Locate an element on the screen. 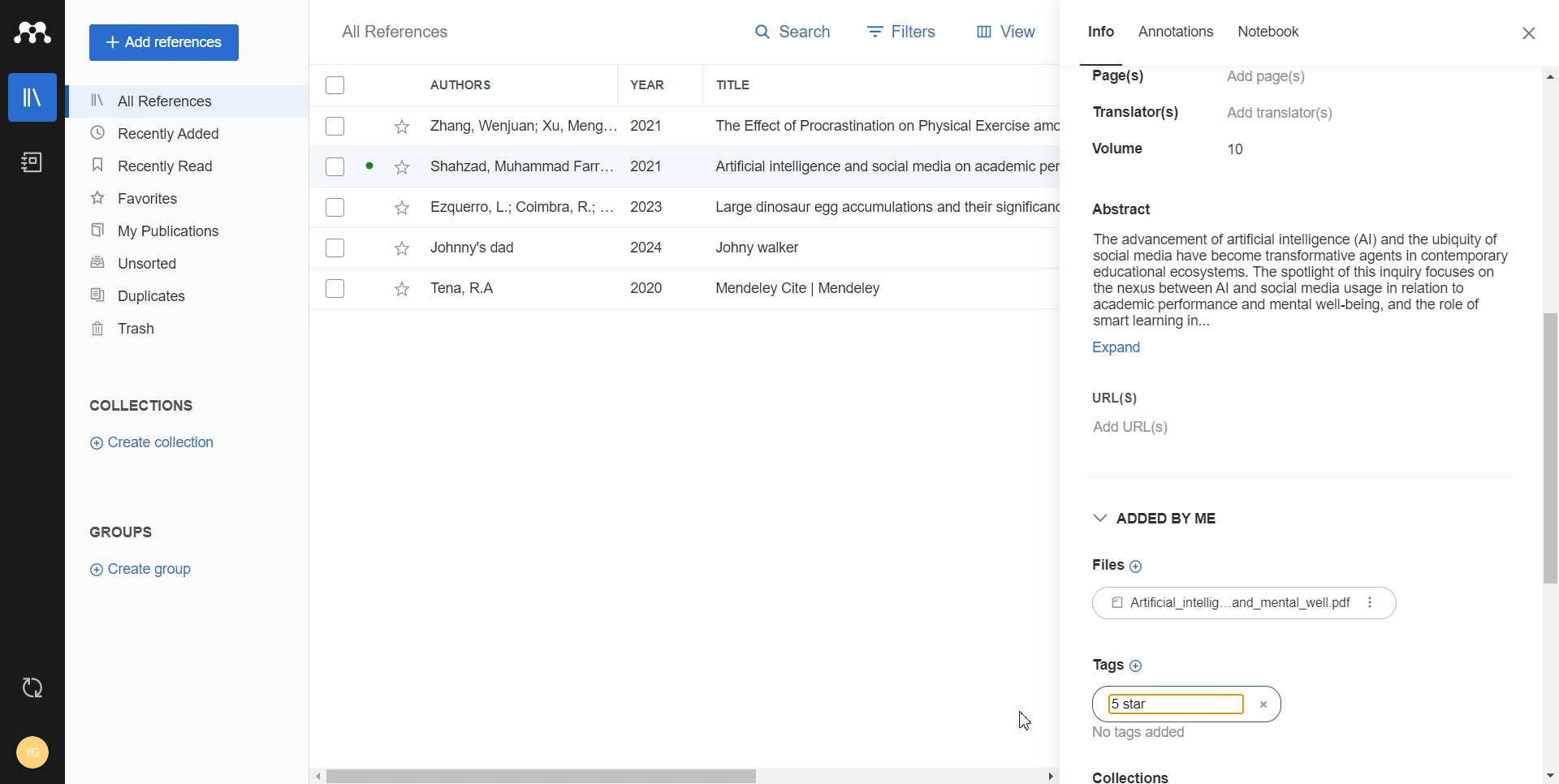 This screenshot has height=784, width=1559. Auto Sync is located at coordinates (33, 688).